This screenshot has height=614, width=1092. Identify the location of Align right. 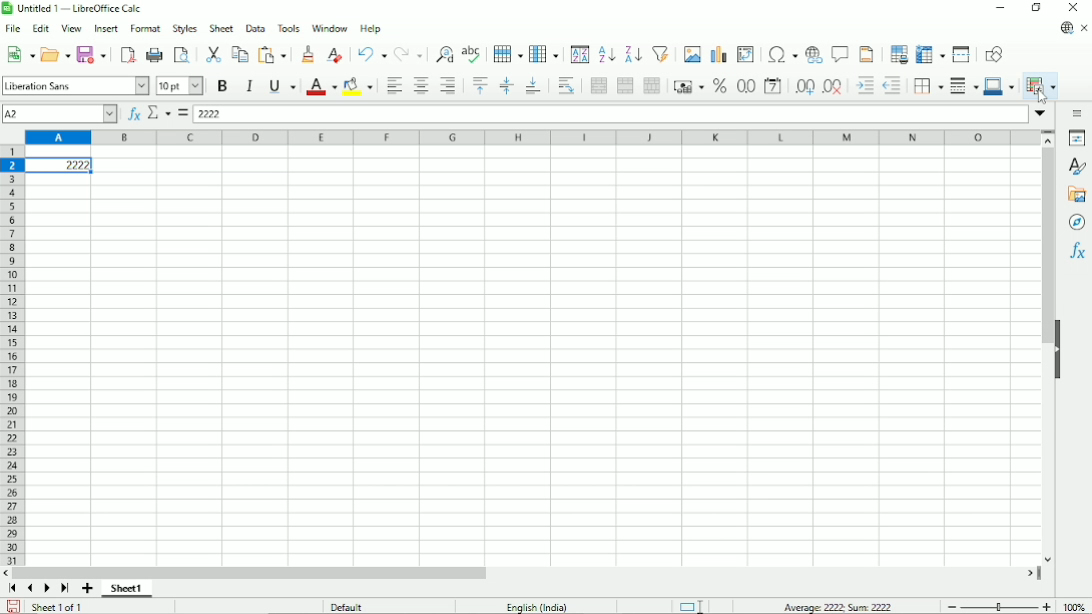
(448, 85).